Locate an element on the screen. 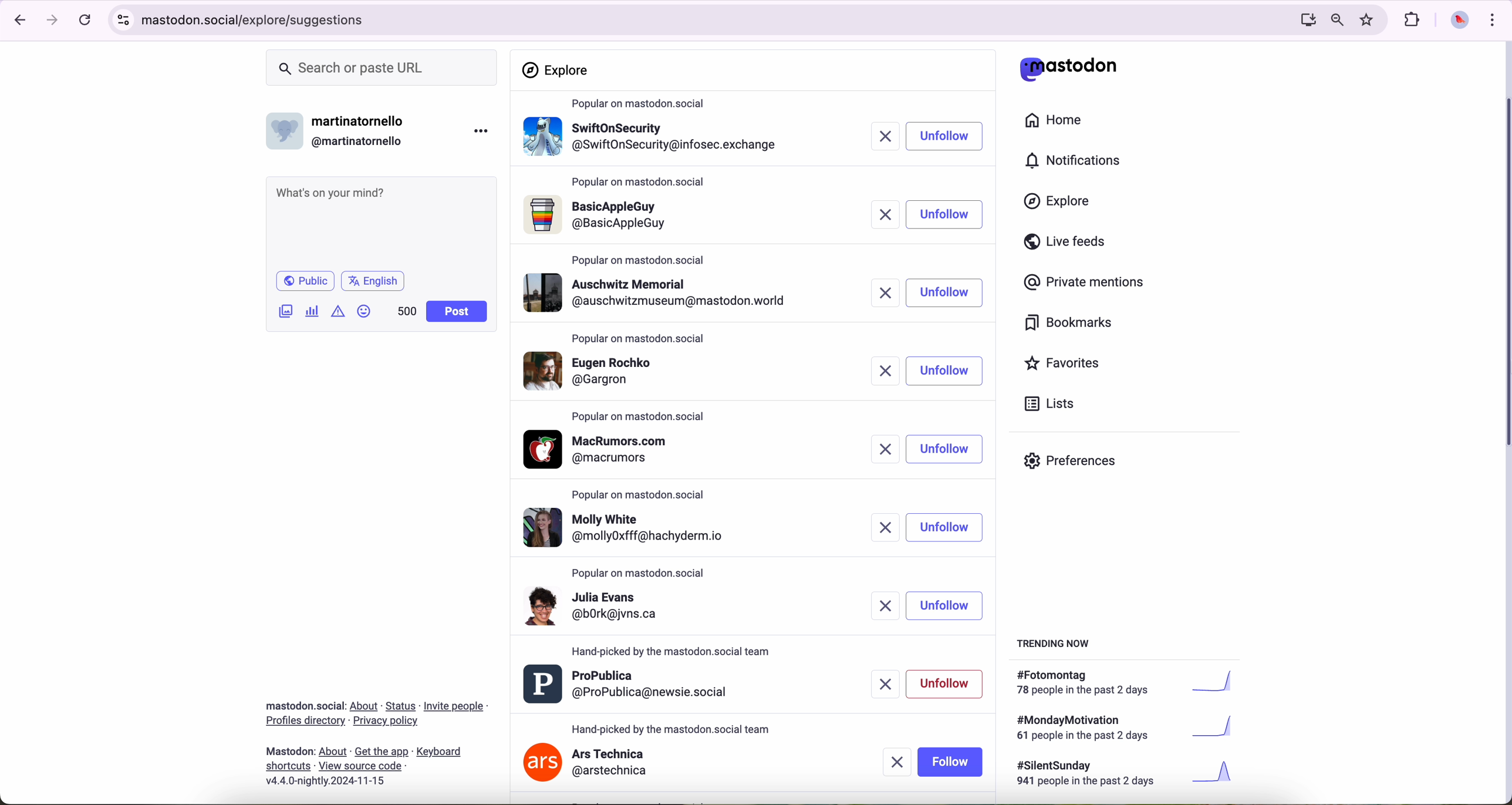 The width and height of the screenshot is (1512, 805). popular on mastodon.social is located at coordinates (643, 104).